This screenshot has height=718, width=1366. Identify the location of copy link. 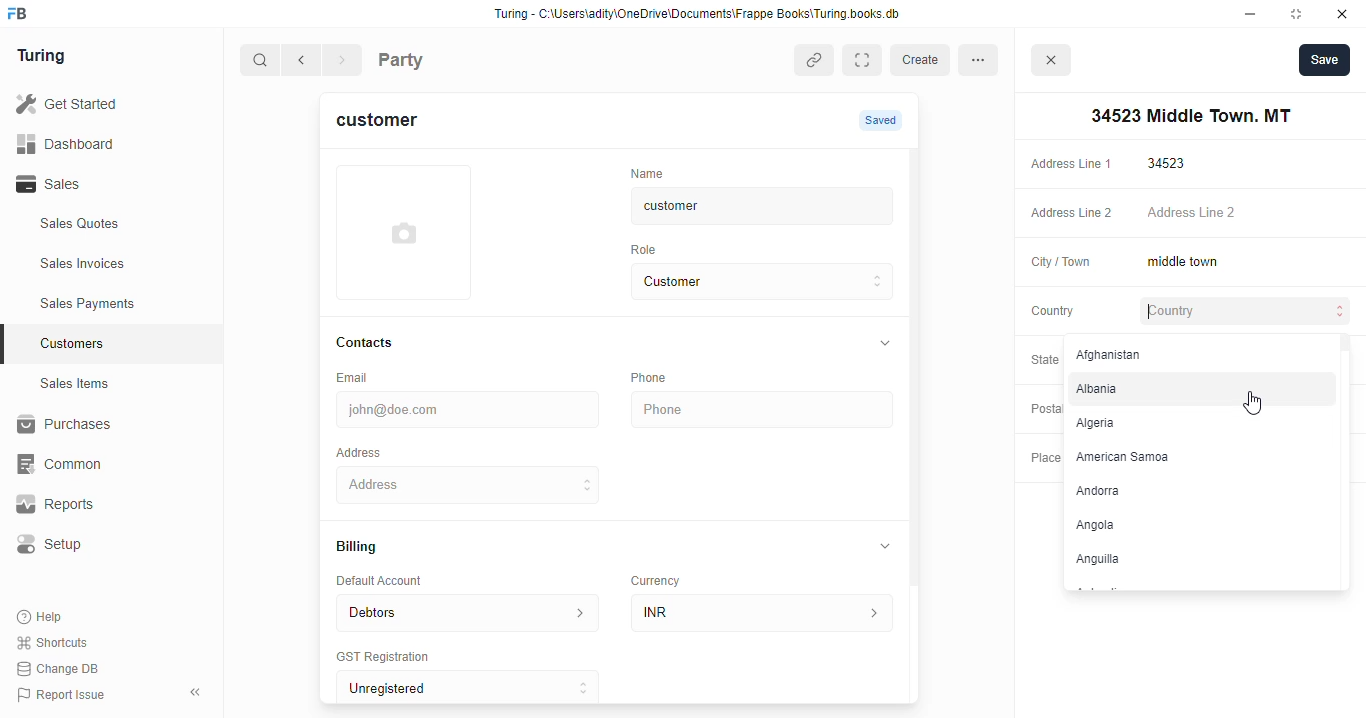
(816, 62).